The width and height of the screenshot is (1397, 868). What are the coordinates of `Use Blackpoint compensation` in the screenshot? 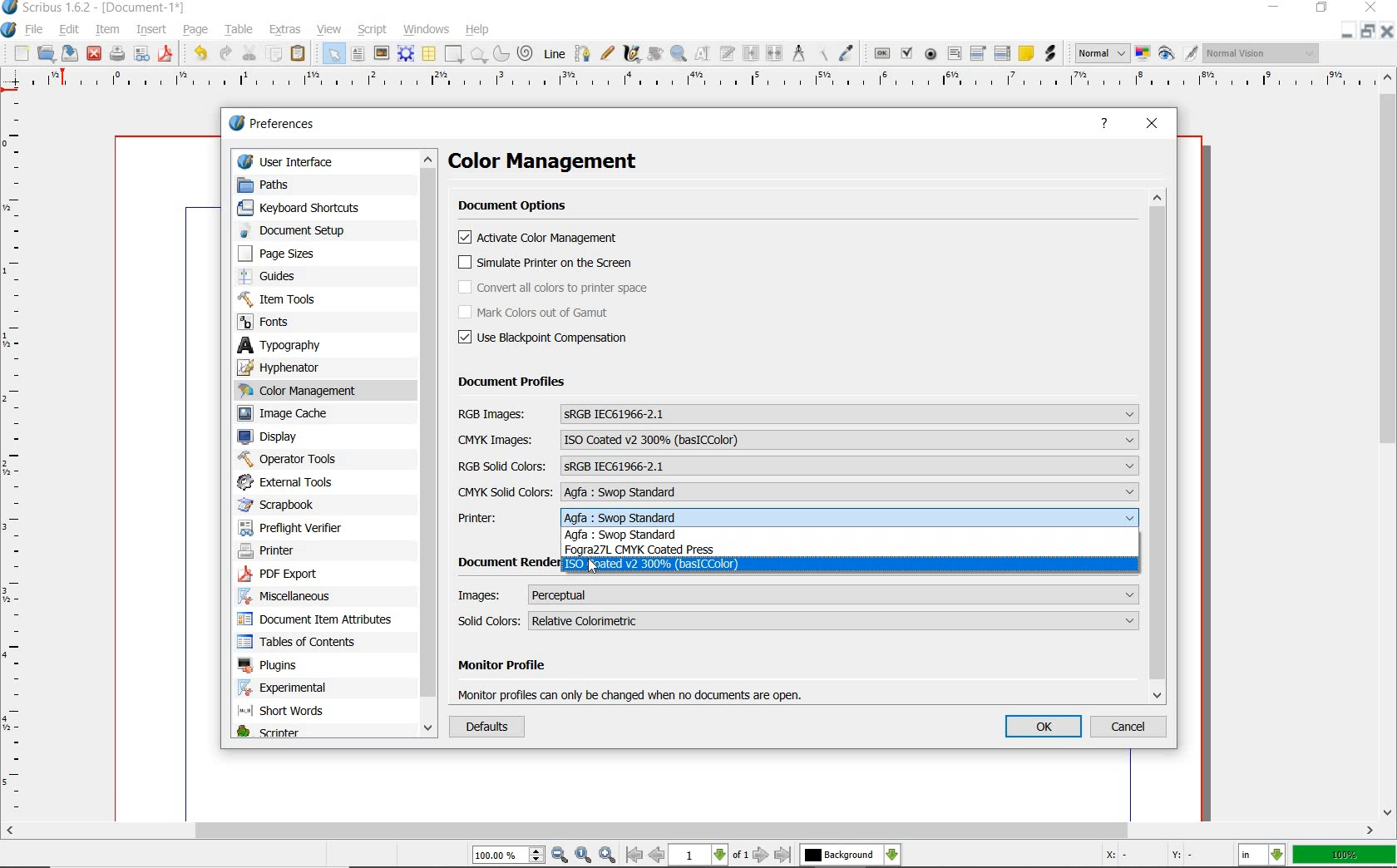 It's located at (549, 338).